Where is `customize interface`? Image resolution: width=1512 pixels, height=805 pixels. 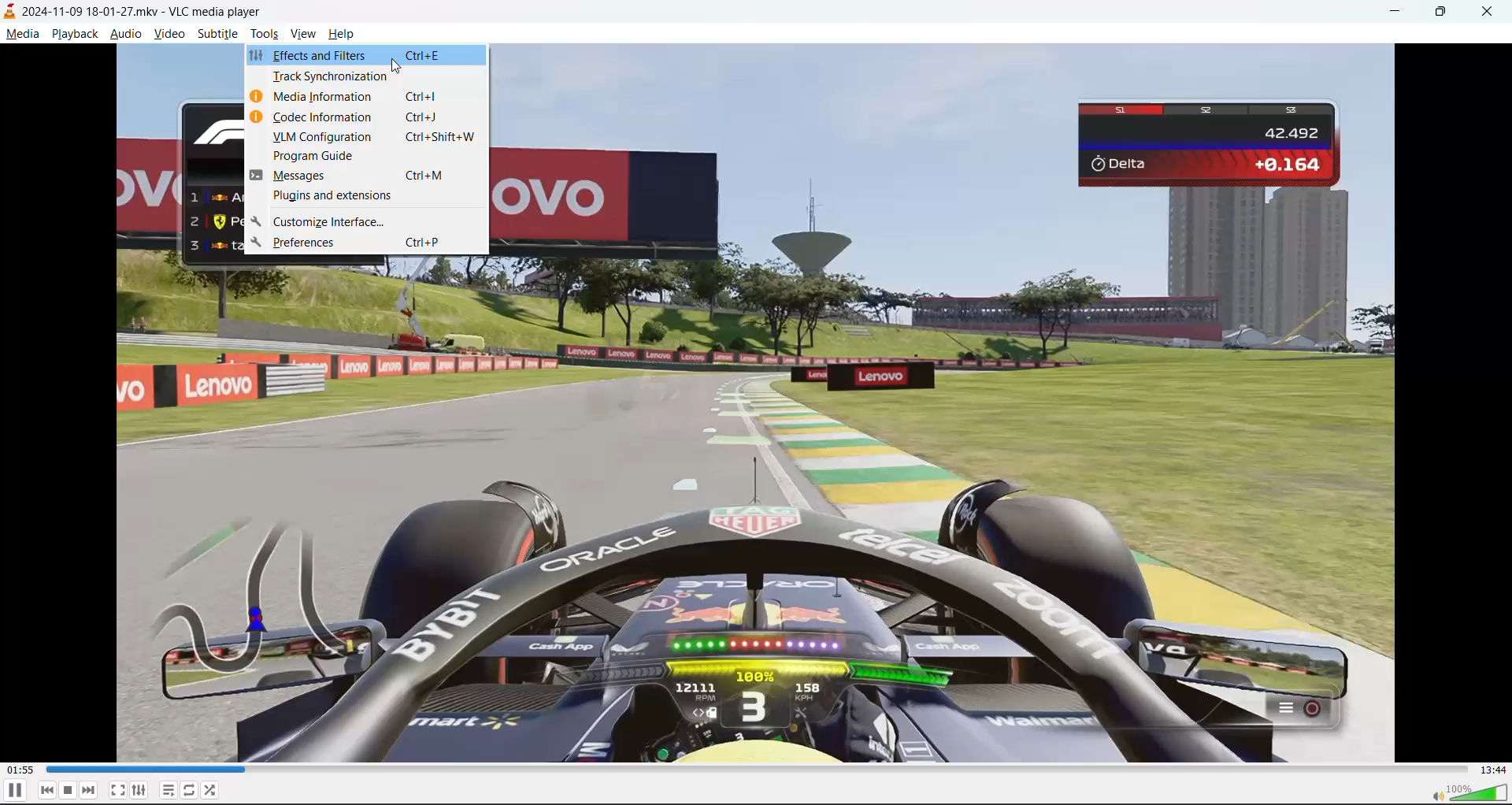 customize interface is located at coordinates (365, 221).